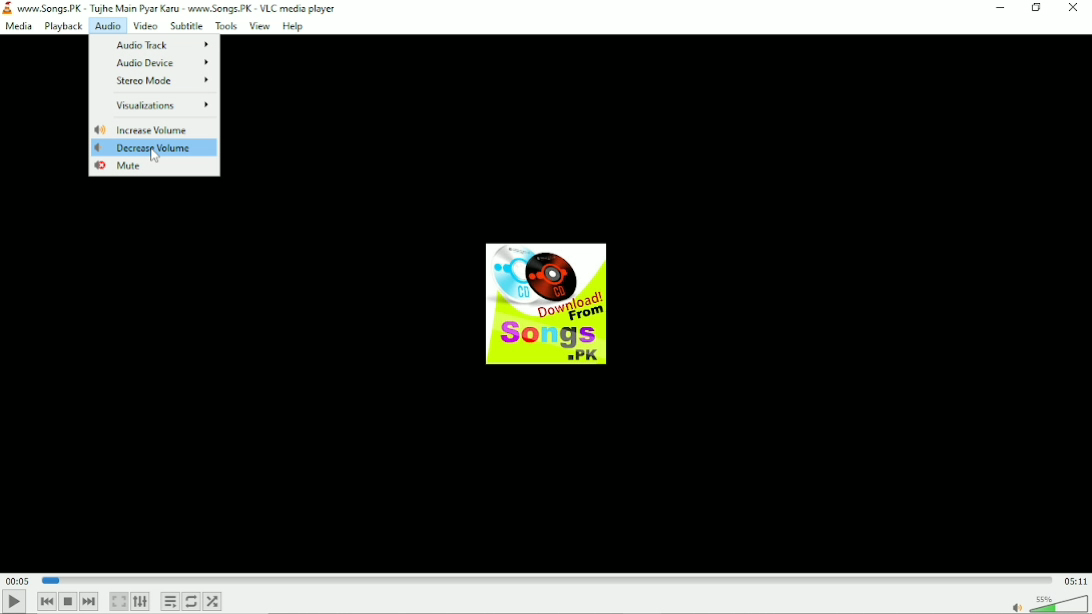  Describe the element at coordinates (225, 26) in the screenshot. I see `Tools` at that location.